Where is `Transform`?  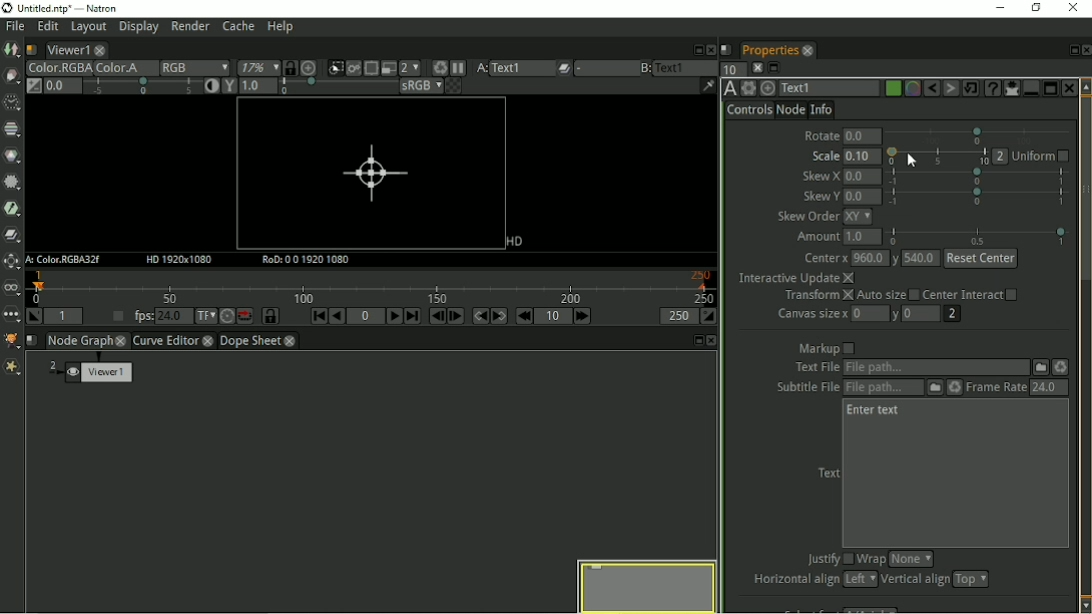 Transform is located at coordinates (902, 296).